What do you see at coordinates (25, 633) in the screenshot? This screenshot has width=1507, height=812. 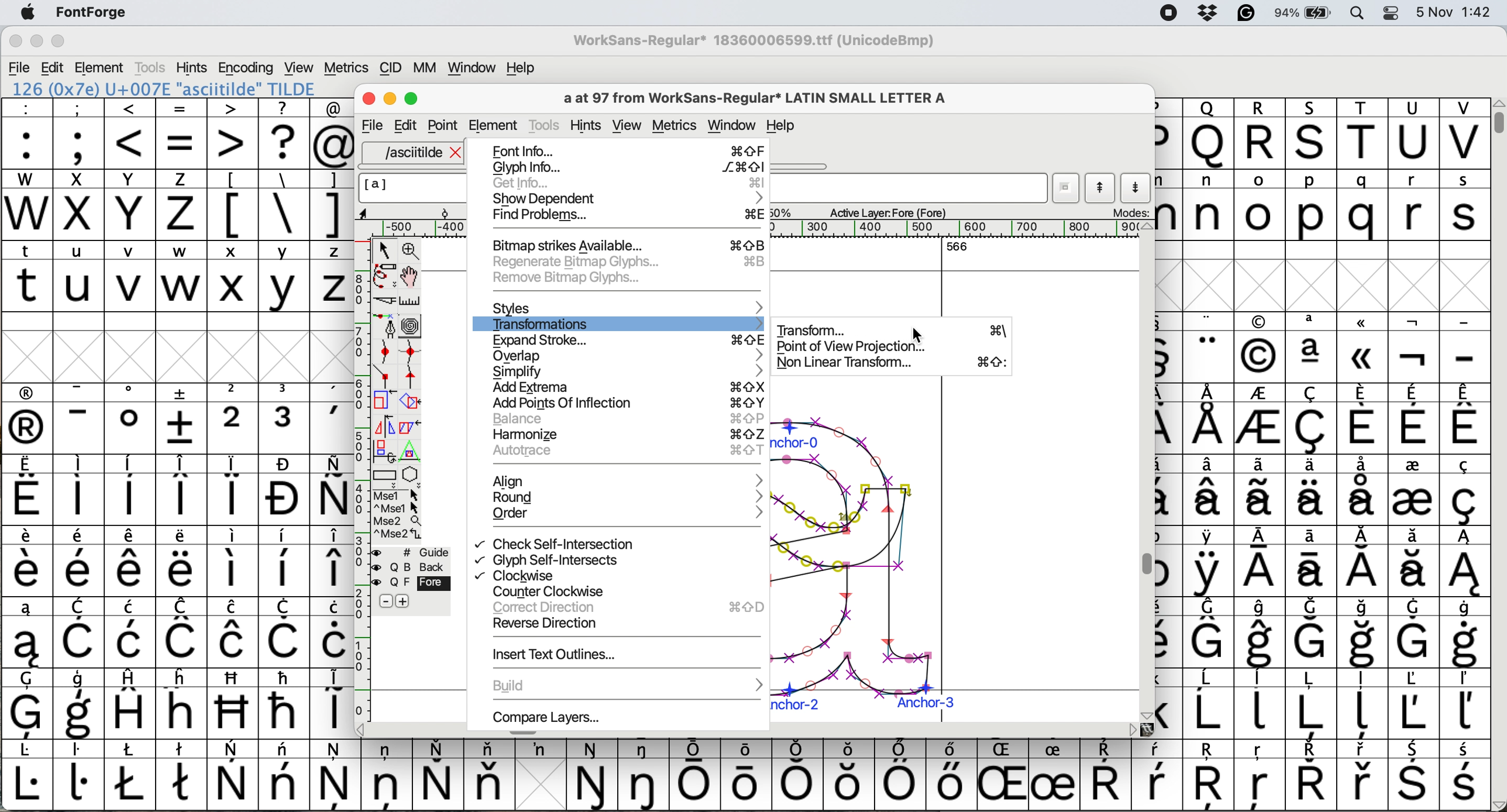 I see `symbol` at bounding box center [25, 633].